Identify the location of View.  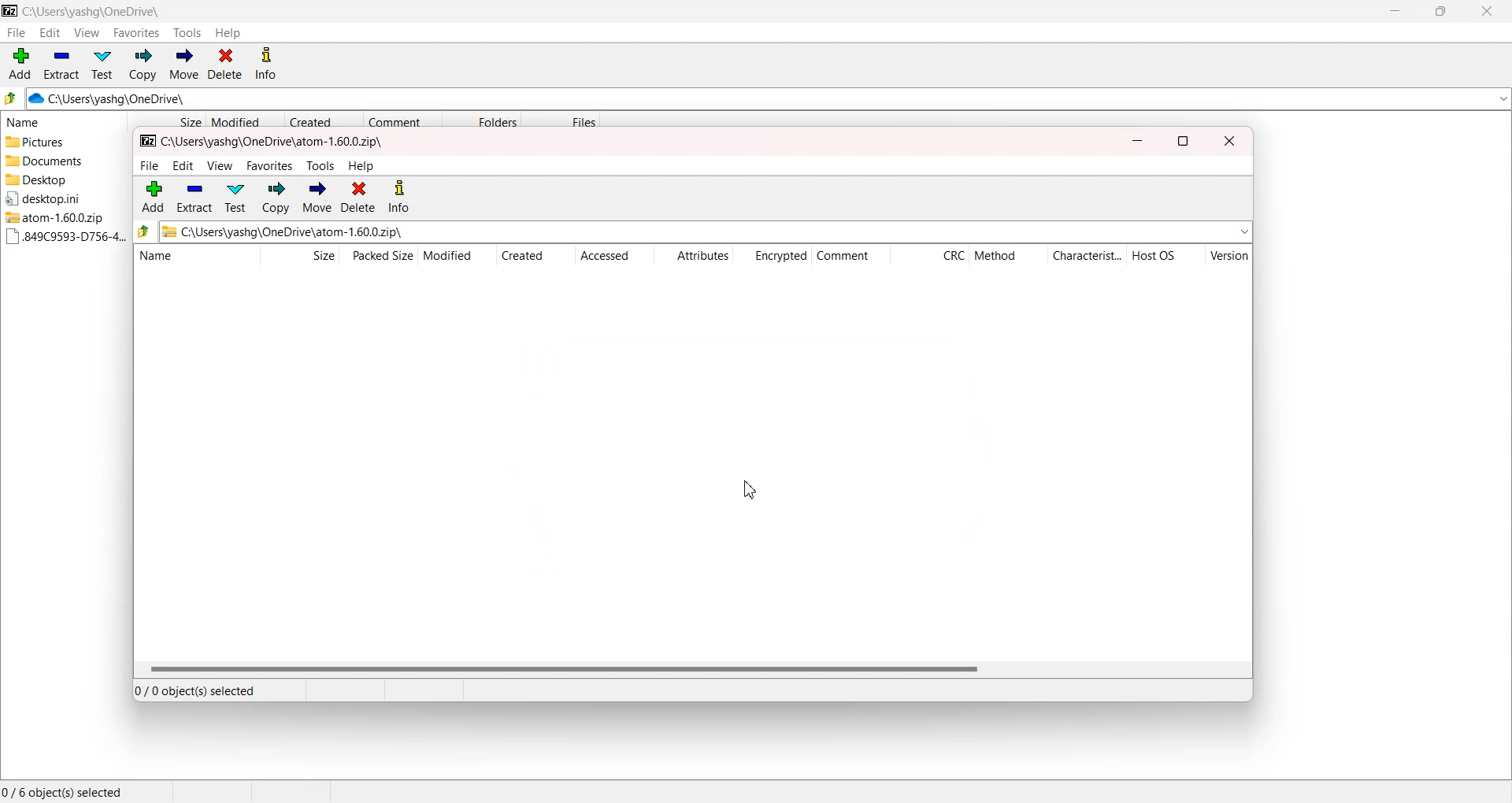
(86, 32).